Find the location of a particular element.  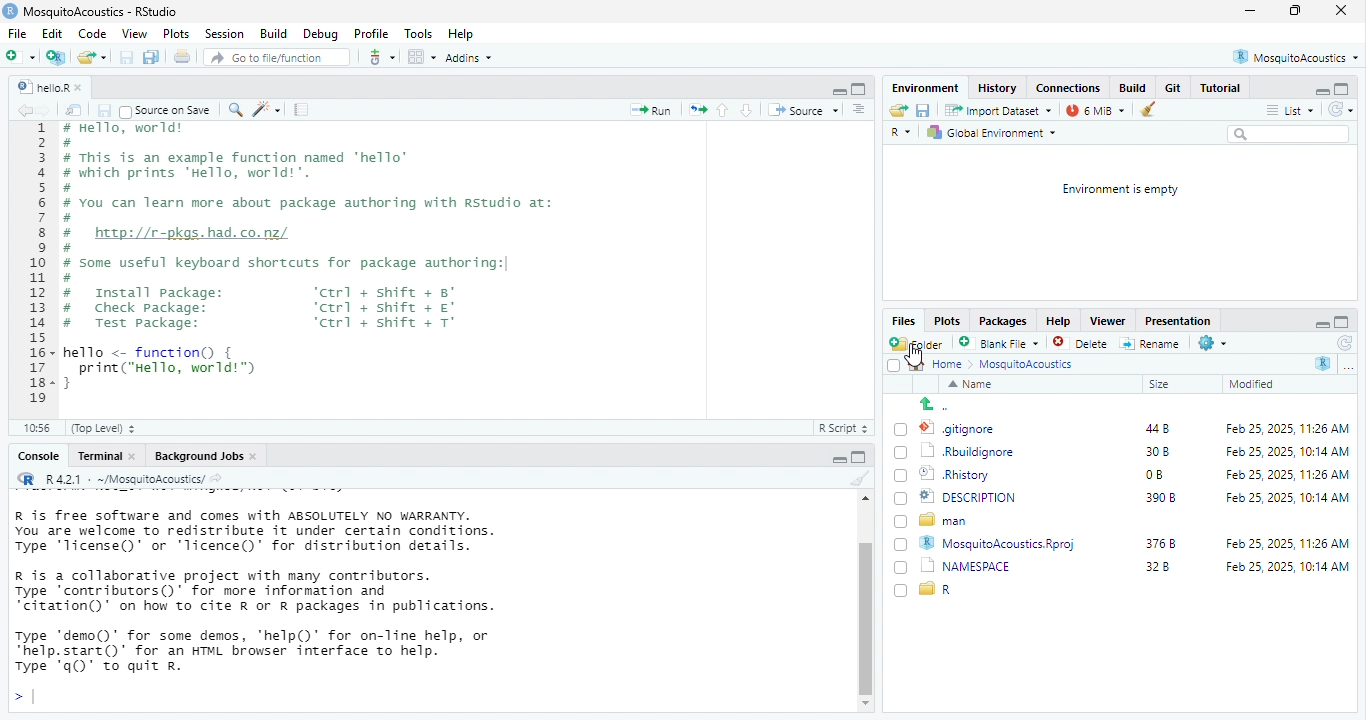

up to previous folder is located at coordinates (924, 404).